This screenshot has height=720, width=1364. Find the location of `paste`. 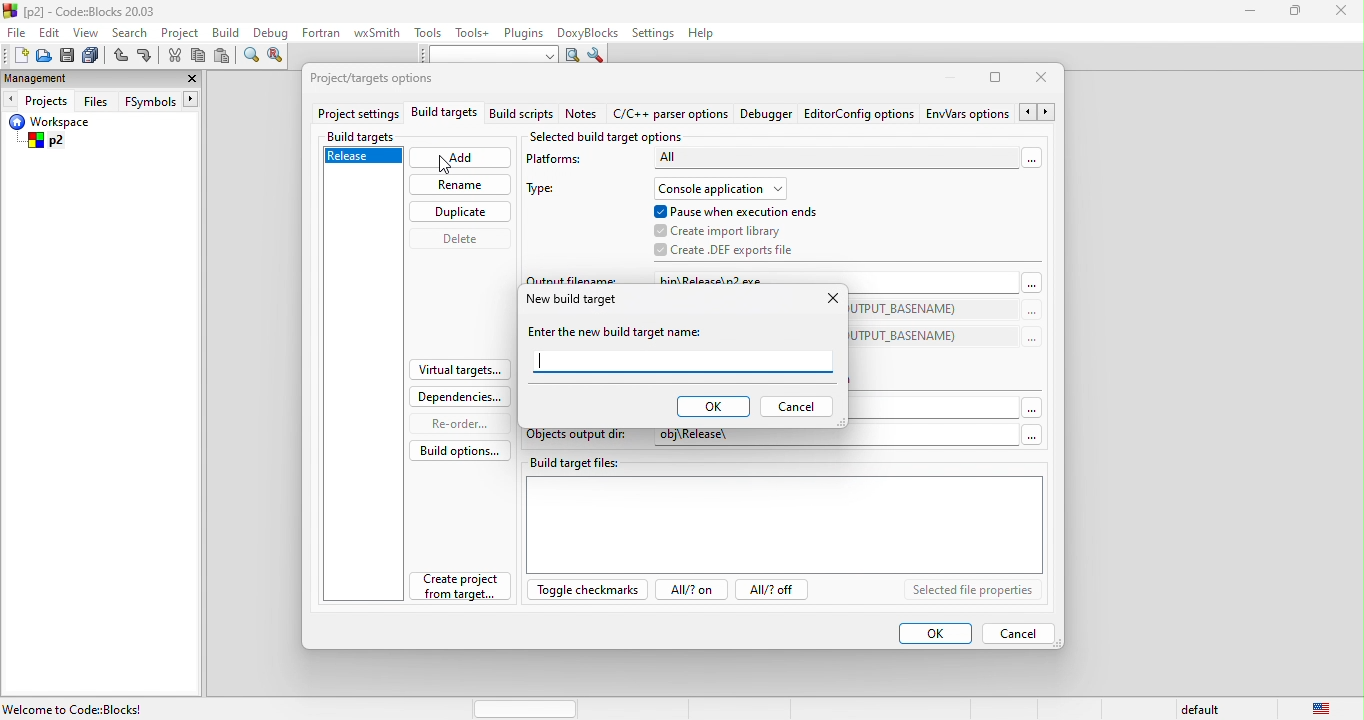

paste is located at coordinates (225, 56).